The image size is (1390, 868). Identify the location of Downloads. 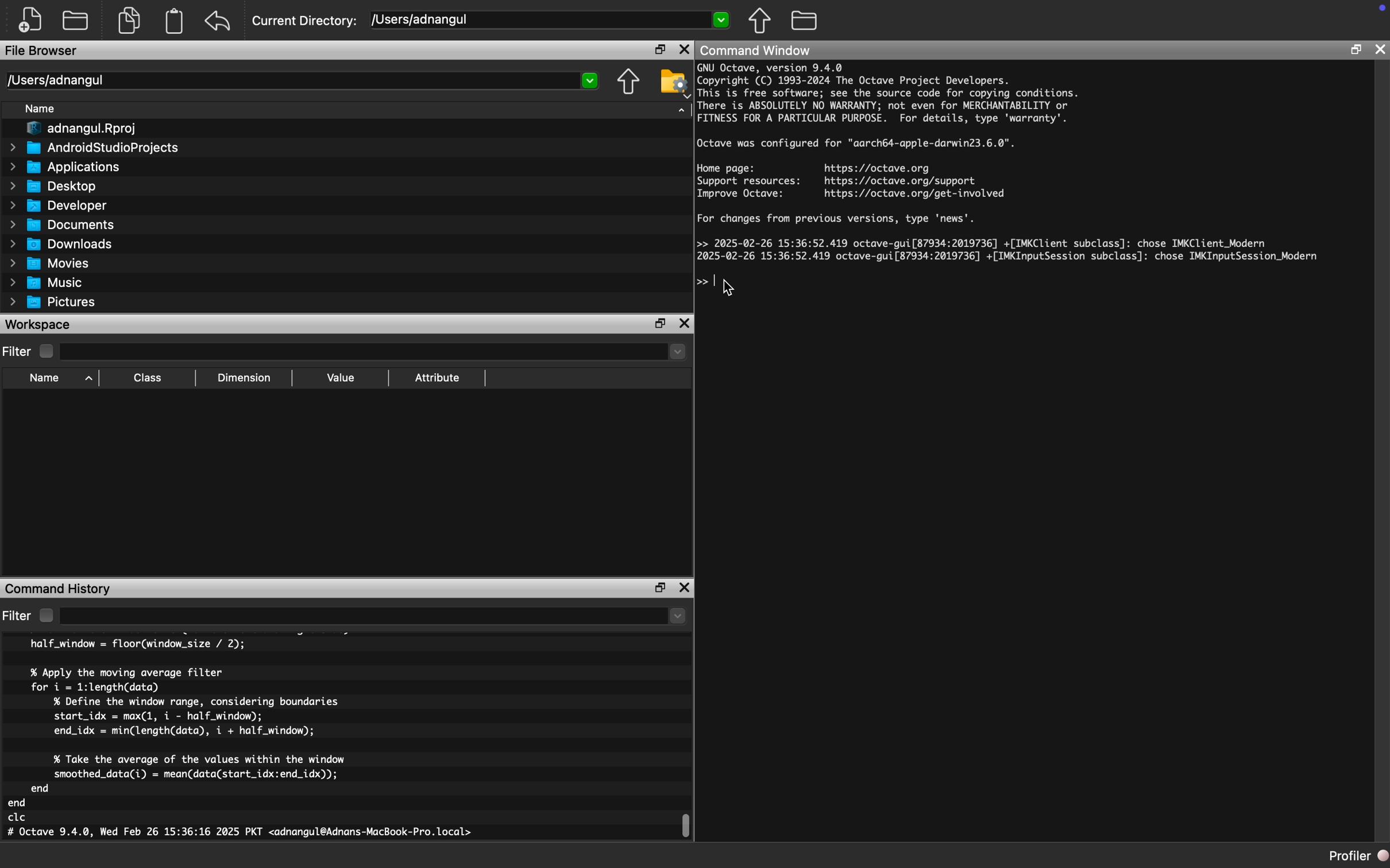
(63, 245).